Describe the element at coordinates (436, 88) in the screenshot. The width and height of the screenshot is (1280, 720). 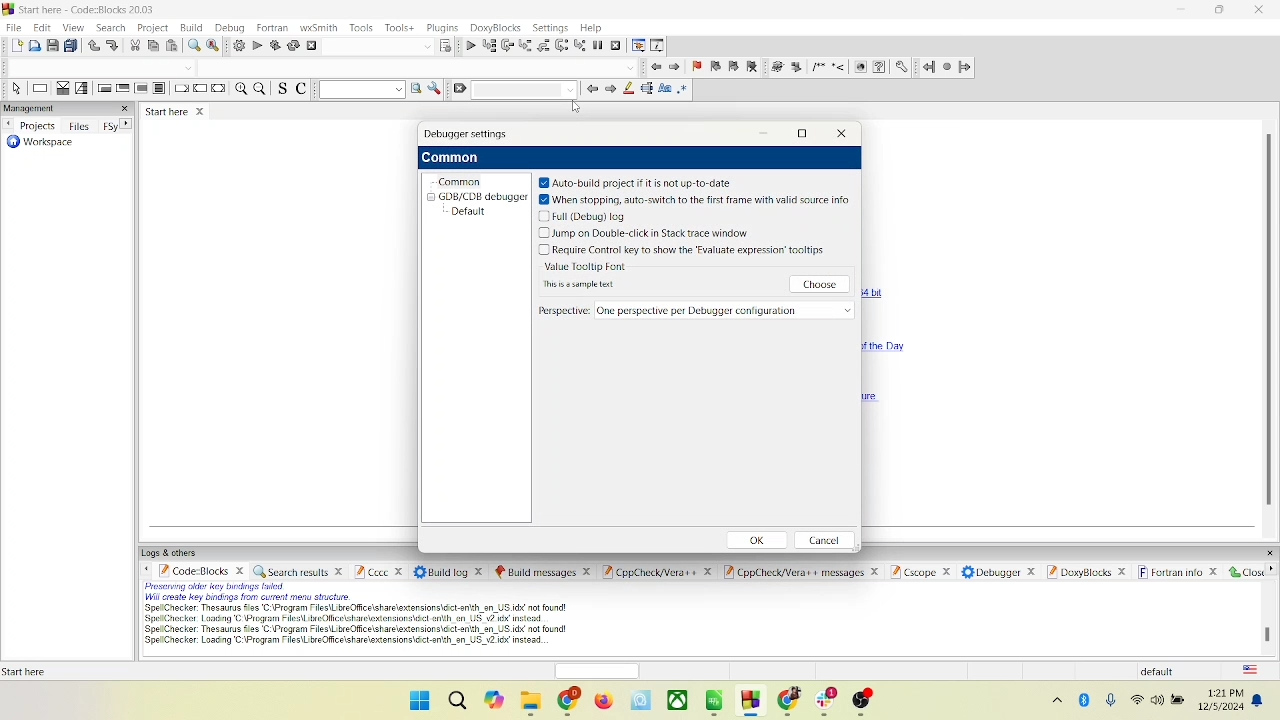
I see `option window` at that location.